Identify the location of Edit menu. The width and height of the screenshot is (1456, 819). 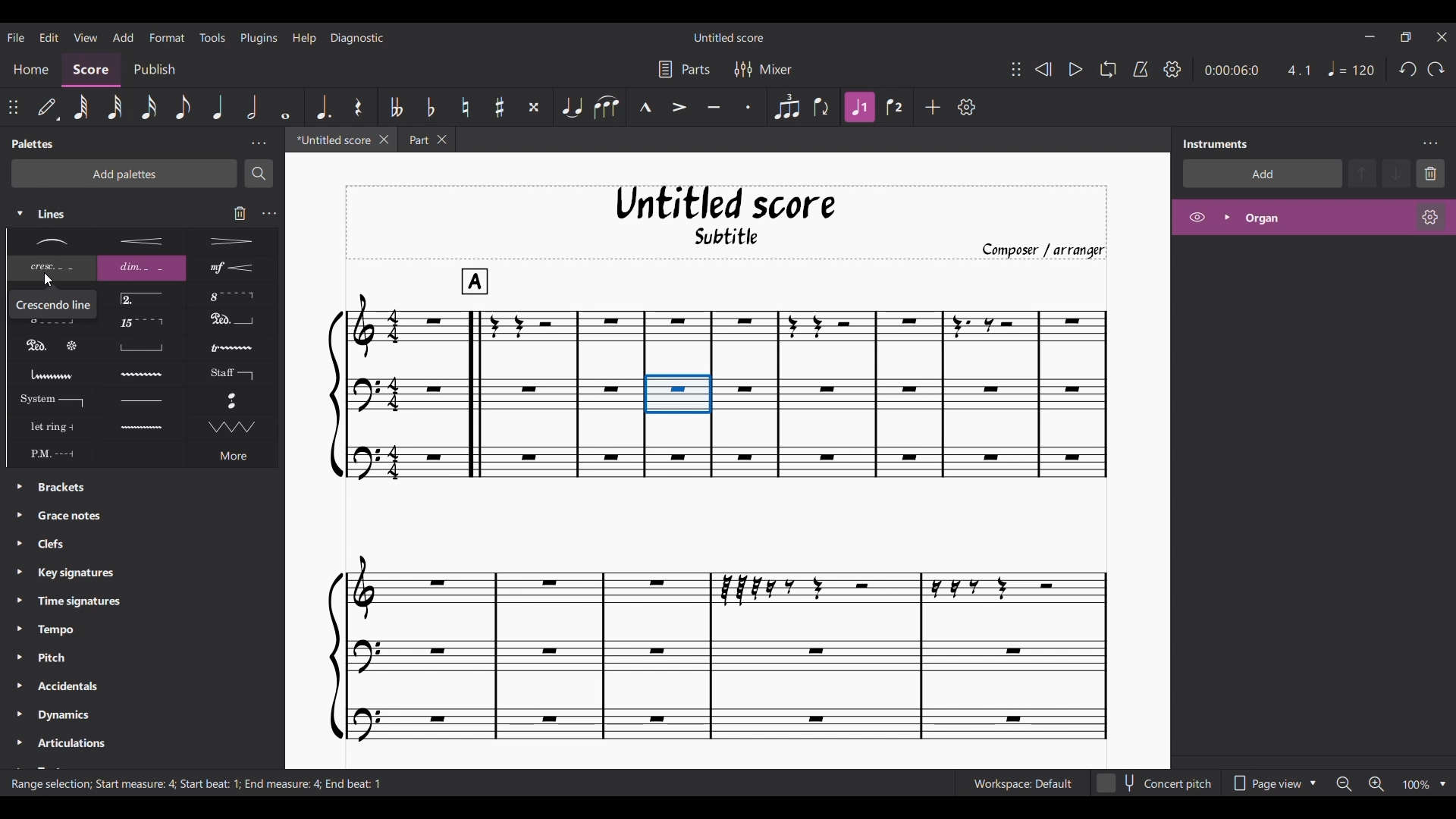
(49, 36).